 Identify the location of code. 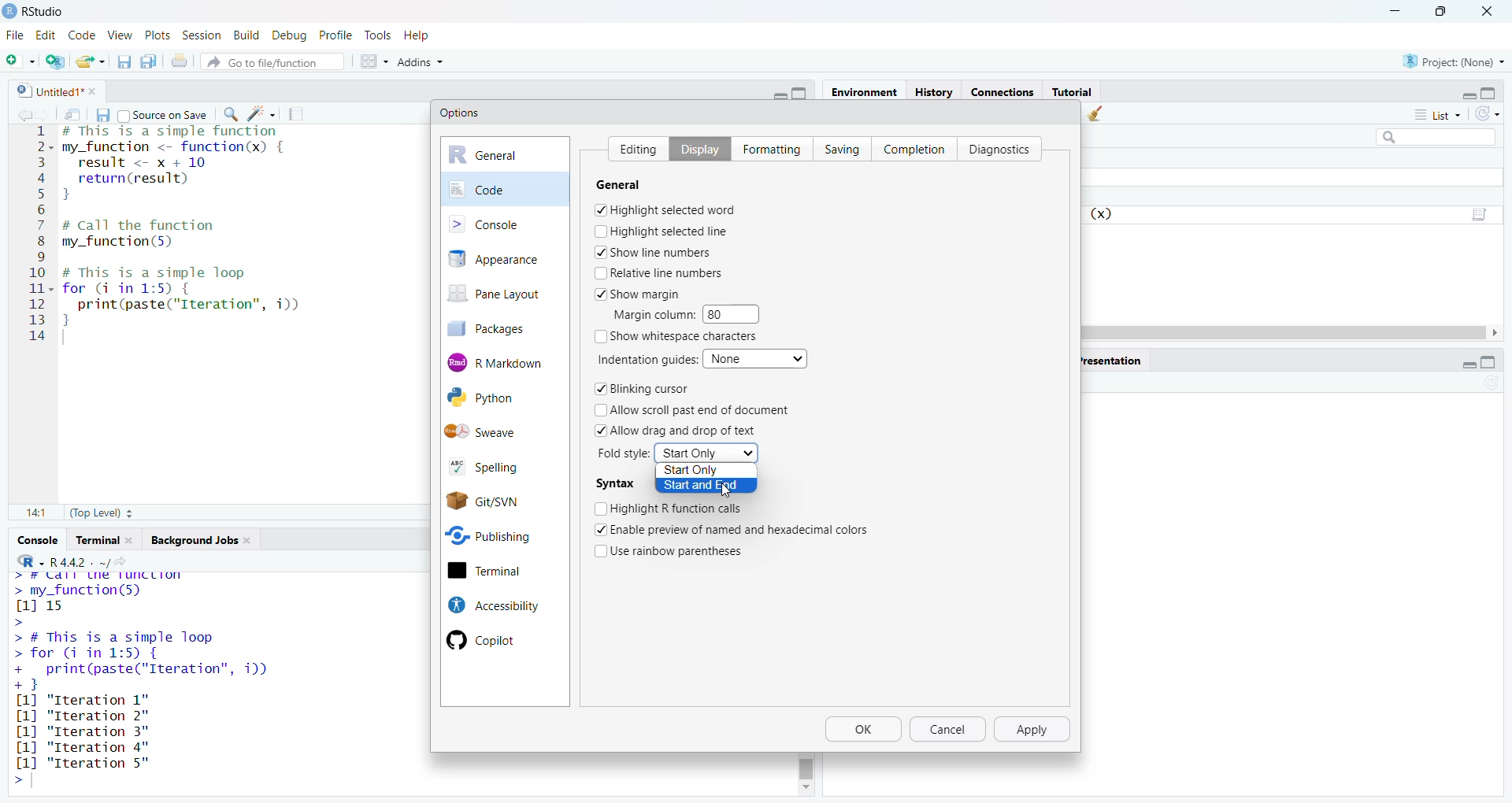
(506, 188).